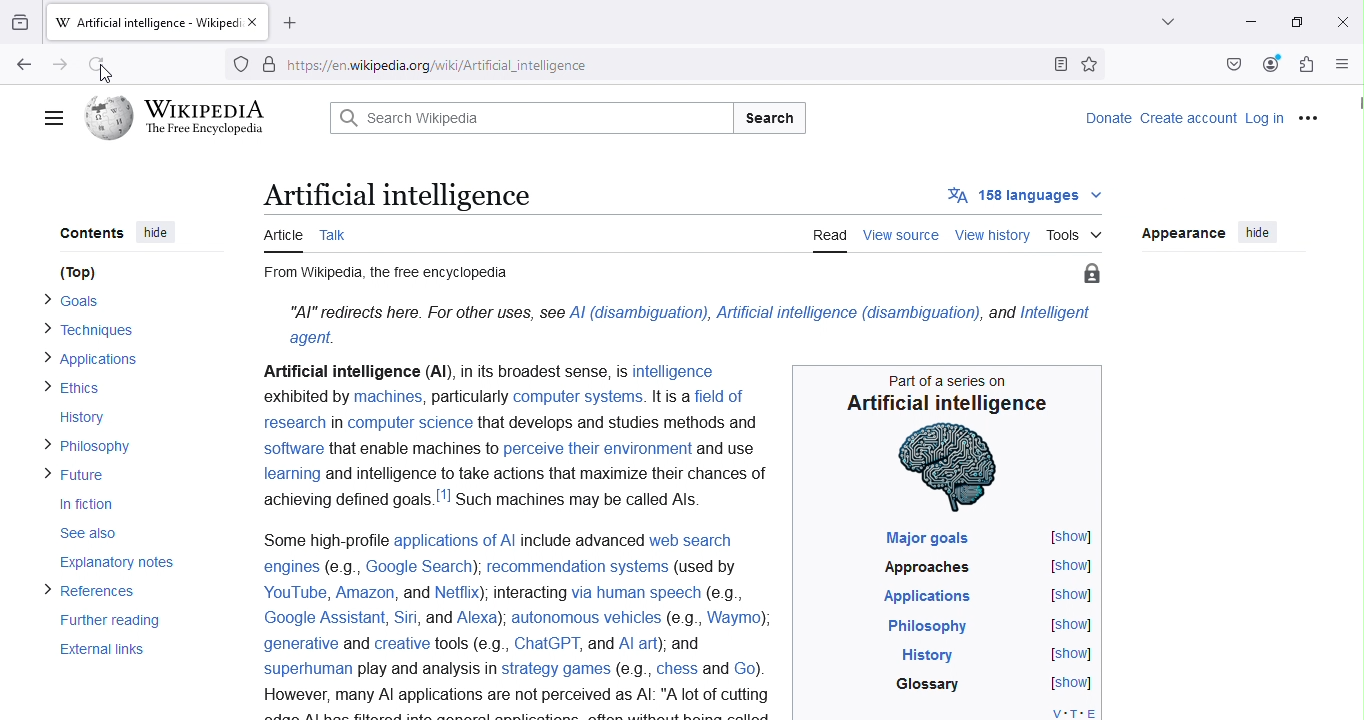  I want to click on Trackers, so click(240, 66).